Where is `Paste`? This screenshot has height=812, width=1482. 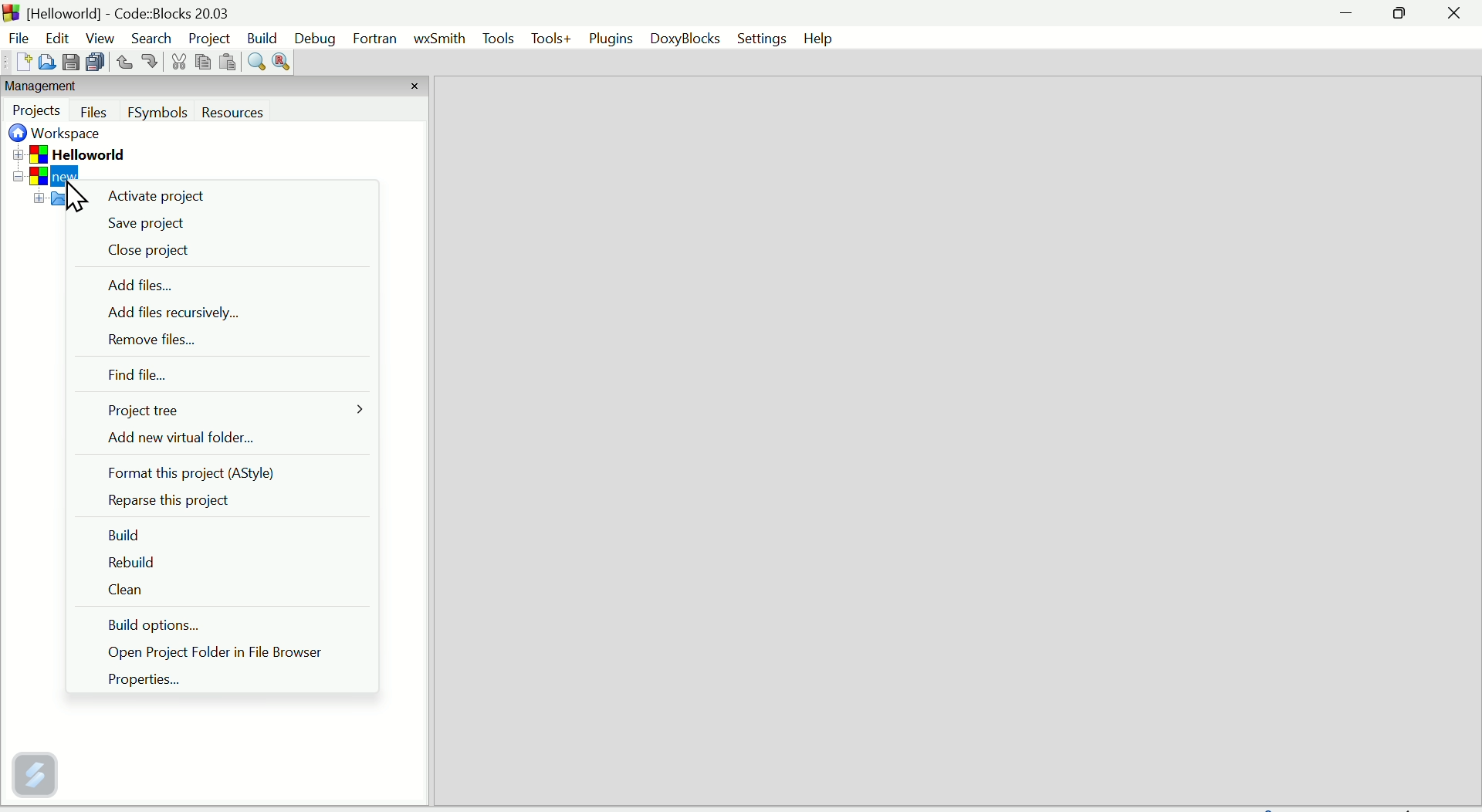 Paste is located at coordinates (226, 63).